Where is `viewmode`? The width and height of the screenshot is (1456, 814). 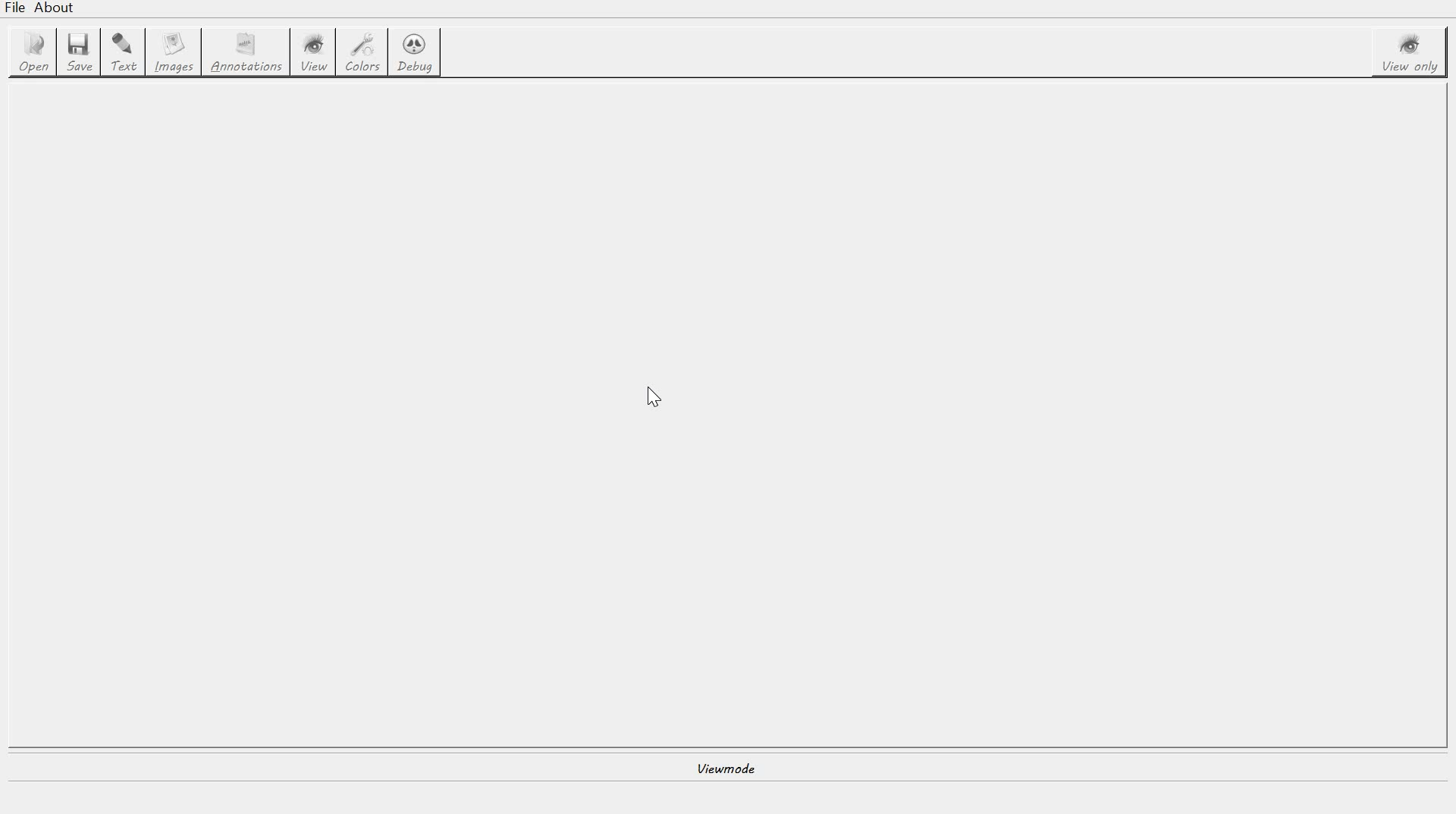
viewmode is located at coordinates (729, 769).